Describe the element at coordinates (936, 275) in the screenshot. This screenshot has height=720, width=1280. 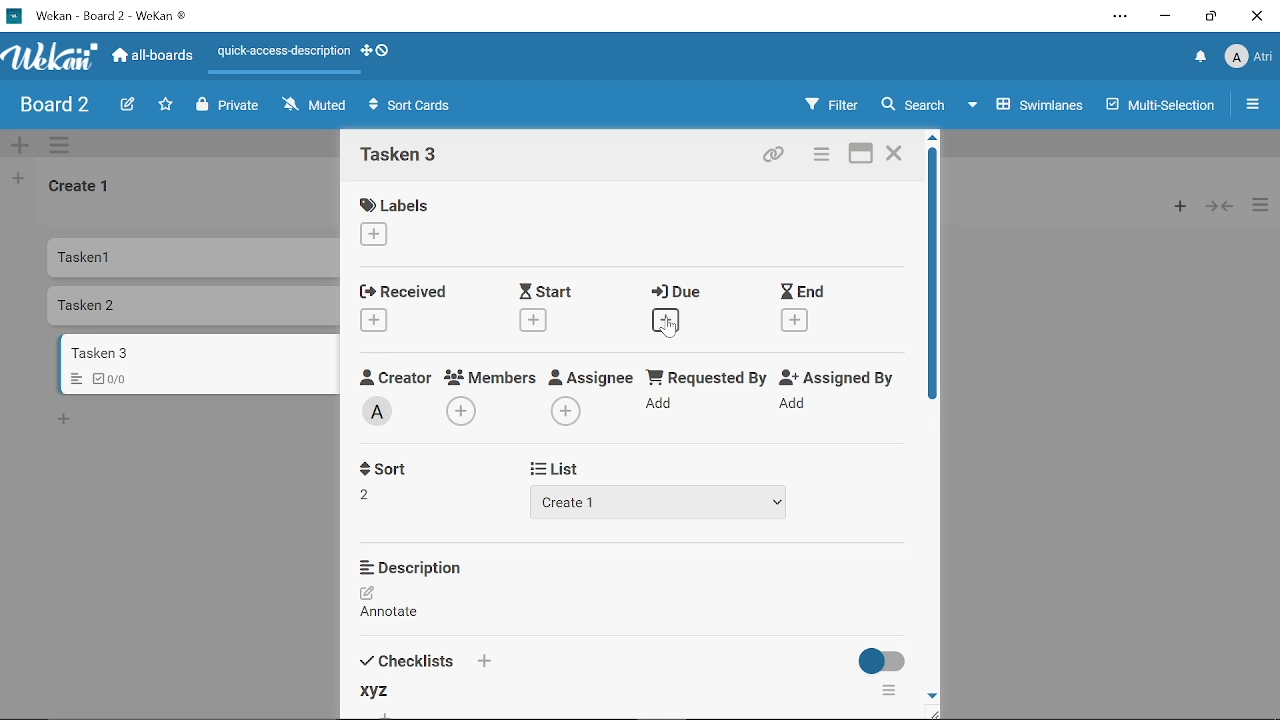
I see `Vertical scrollbar` at that location.